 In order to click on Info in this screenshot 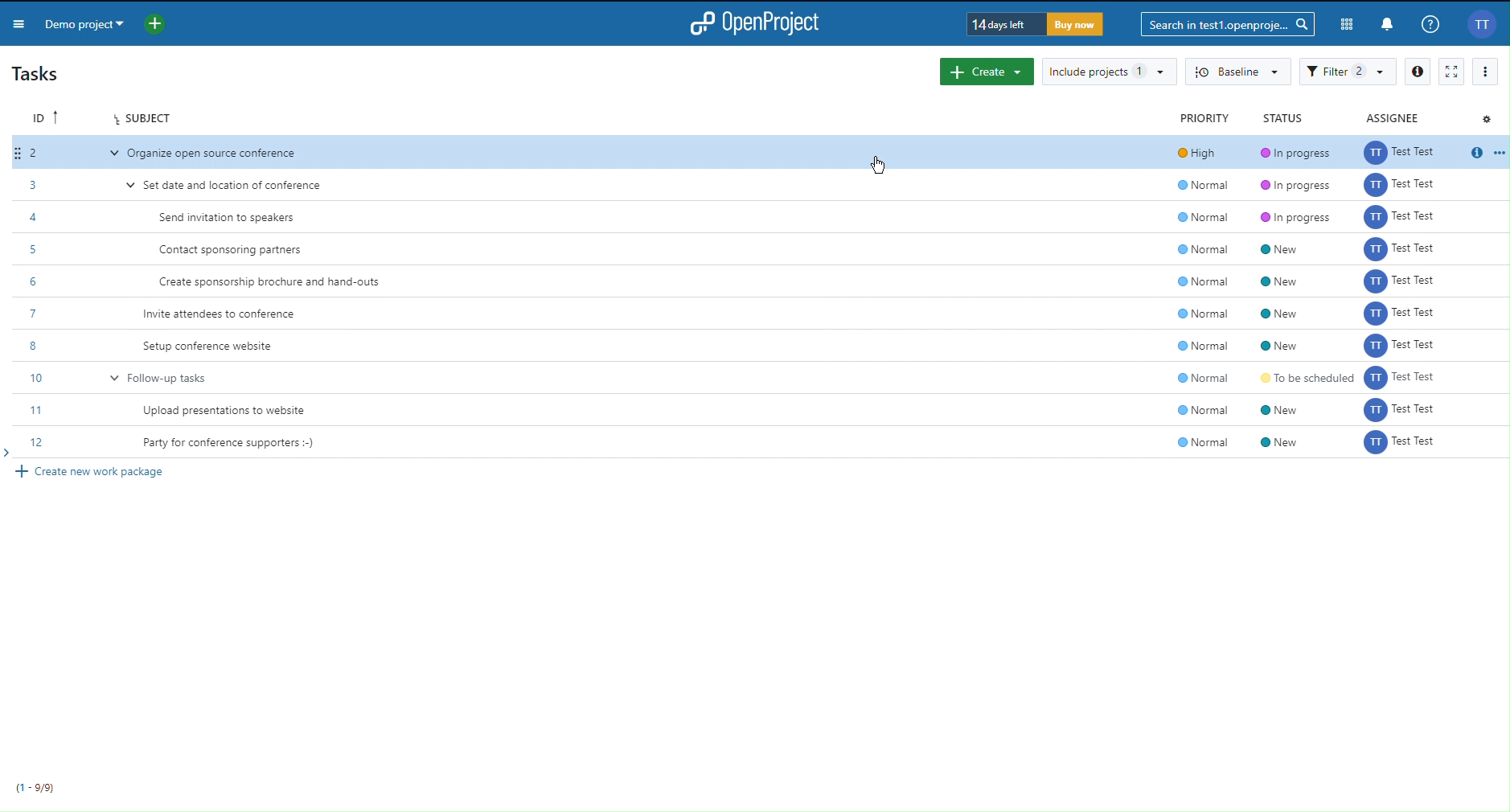, I will do `click(1430, 23)`.